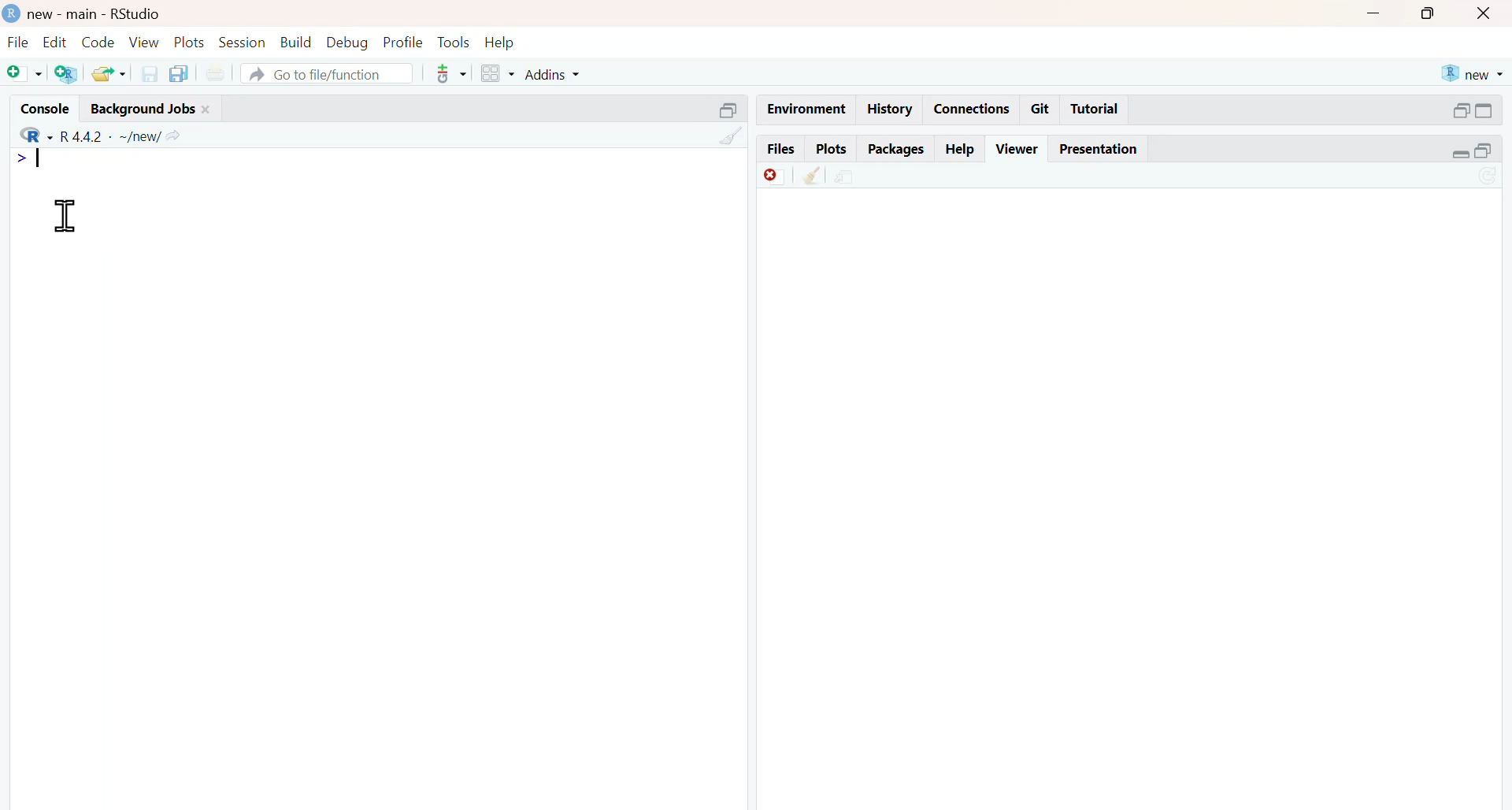  What do you see at coordinates (1462, 154) in the screenshot?
I see `expand/collapse` at bounding box center [1462, 154].